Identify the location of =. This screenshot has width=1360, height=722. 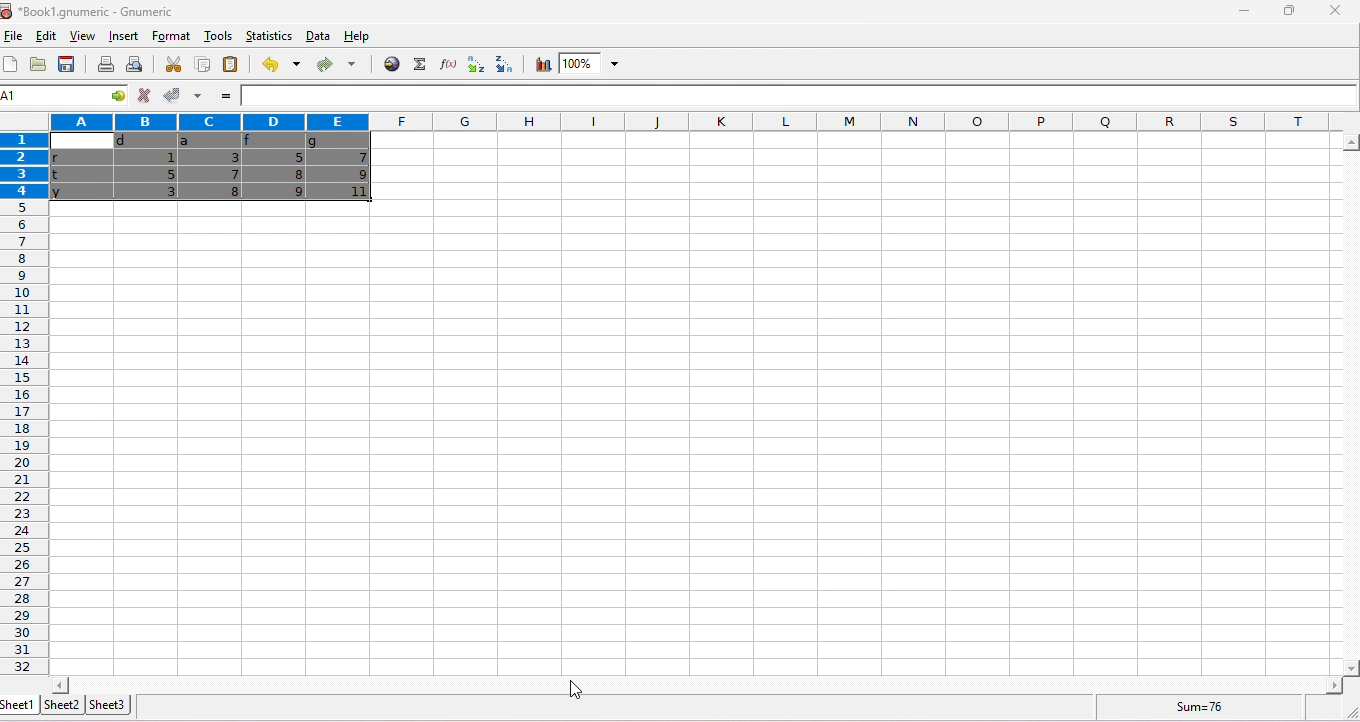
(224, 97).